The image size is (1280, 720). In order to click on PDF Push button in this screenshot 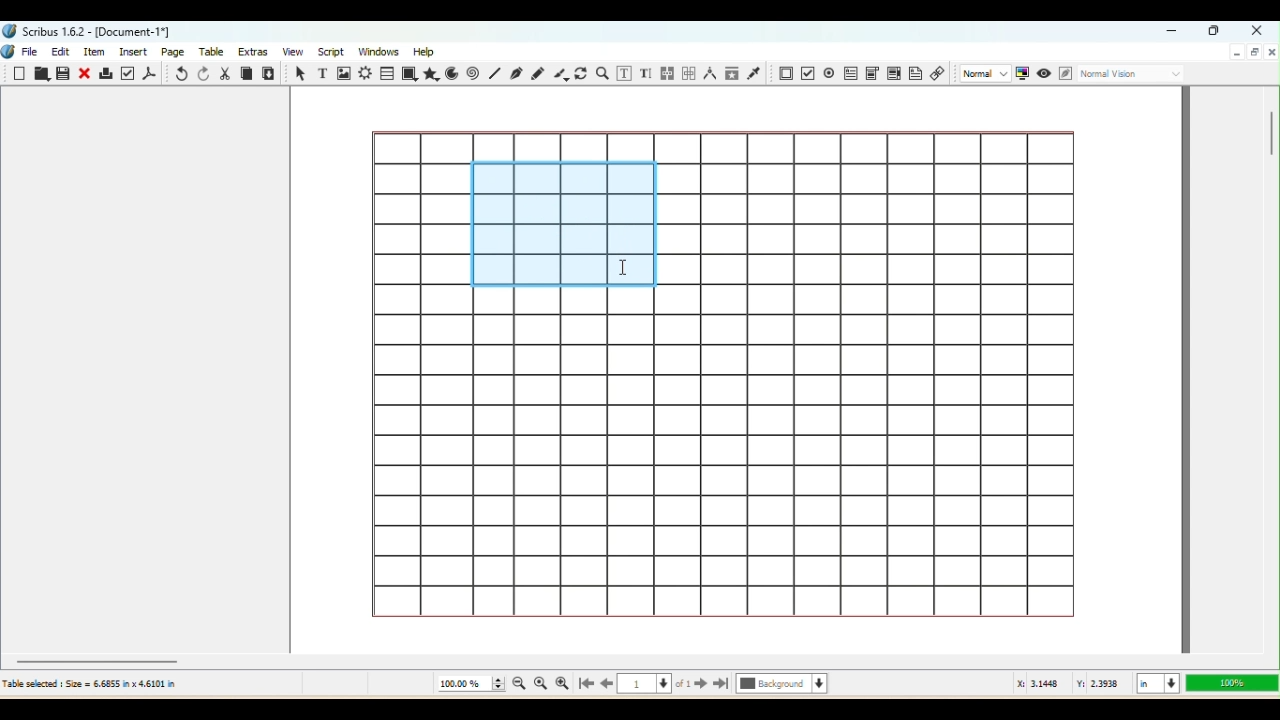, I will do `click(784, 73)`.